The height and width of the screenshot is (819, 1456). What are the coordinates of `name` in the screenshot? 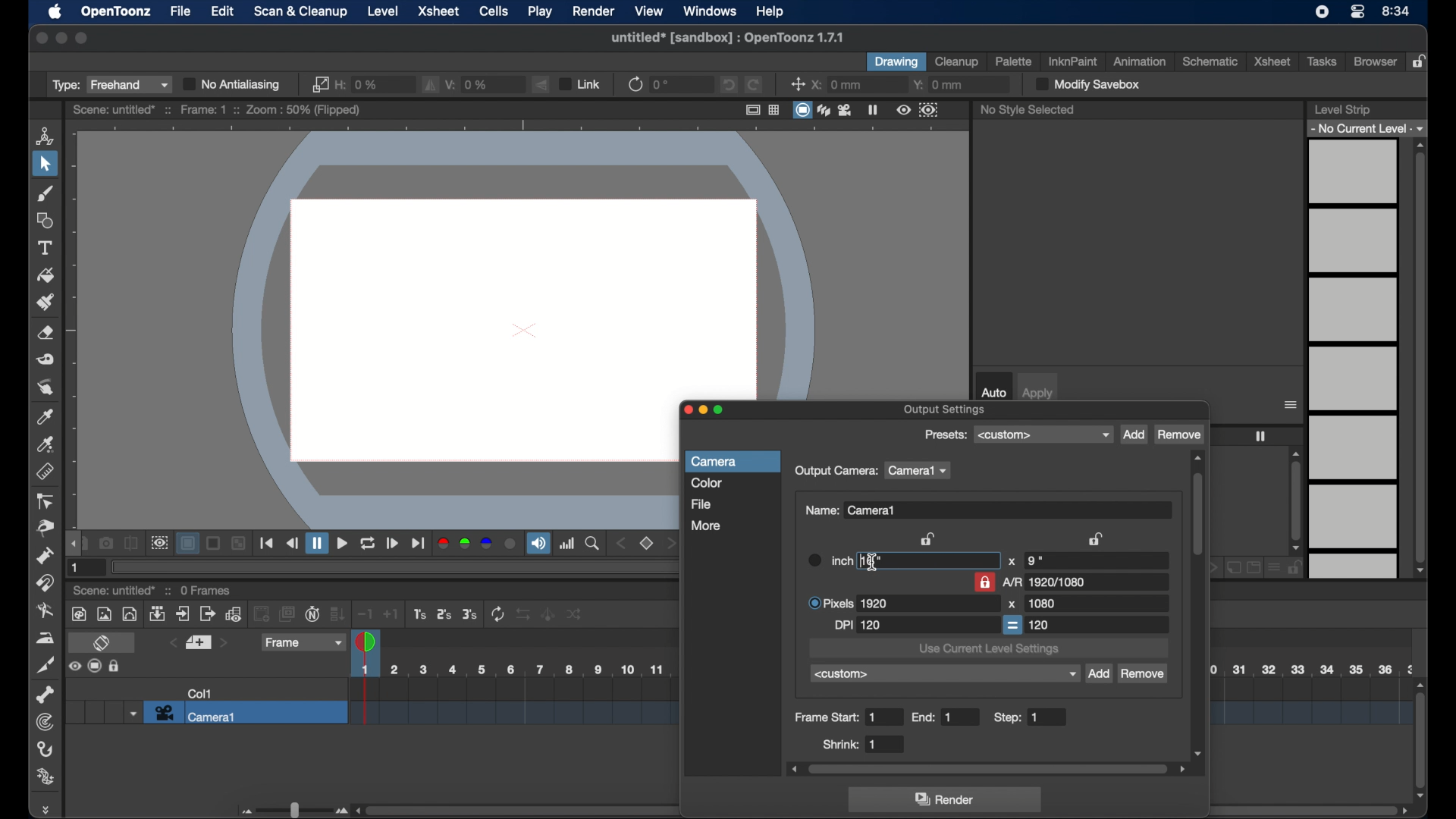 It's located at (852, 510).